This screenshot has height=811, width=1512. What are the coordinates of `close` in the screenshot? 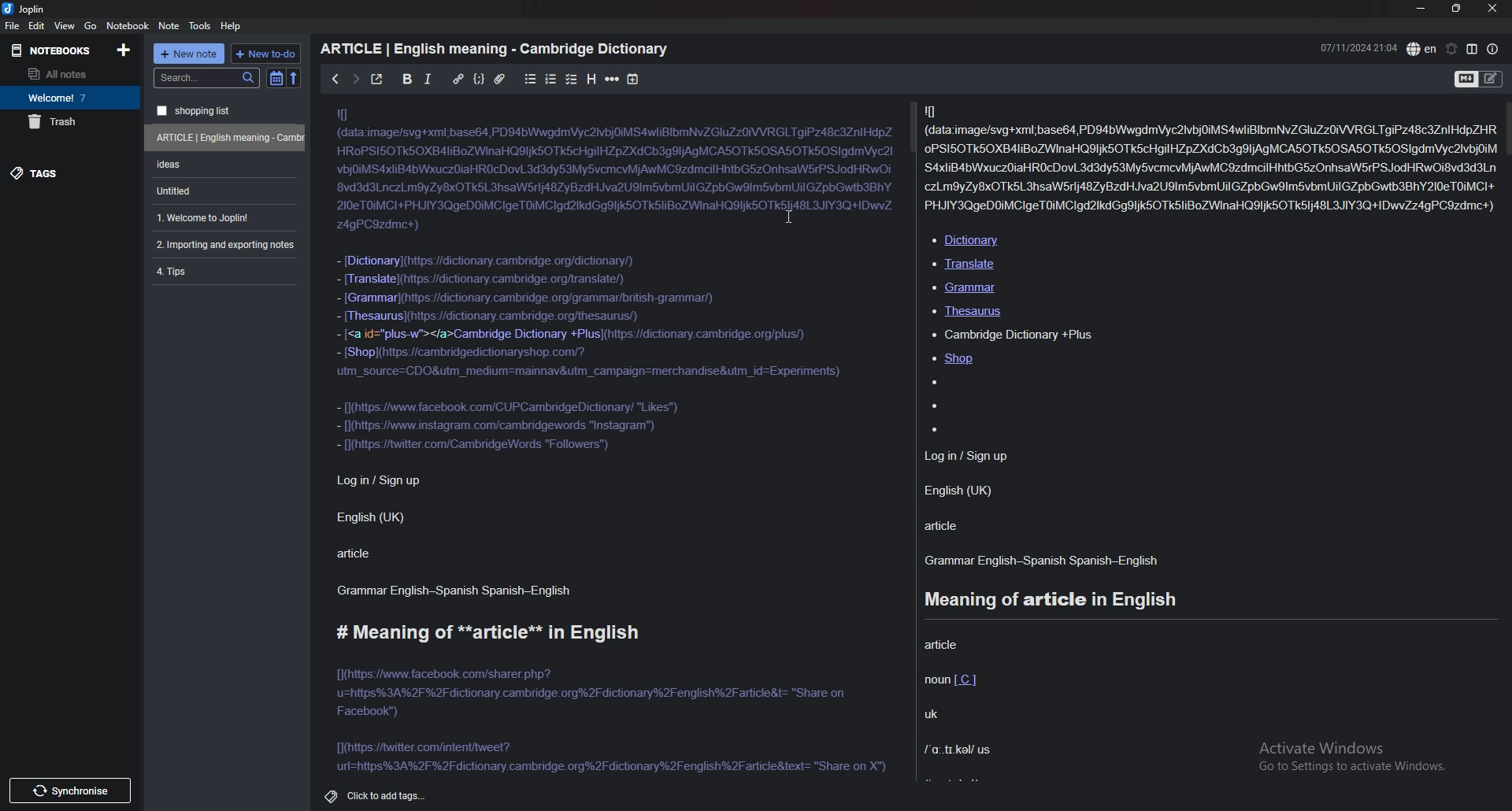 It's located at (1492, 8).